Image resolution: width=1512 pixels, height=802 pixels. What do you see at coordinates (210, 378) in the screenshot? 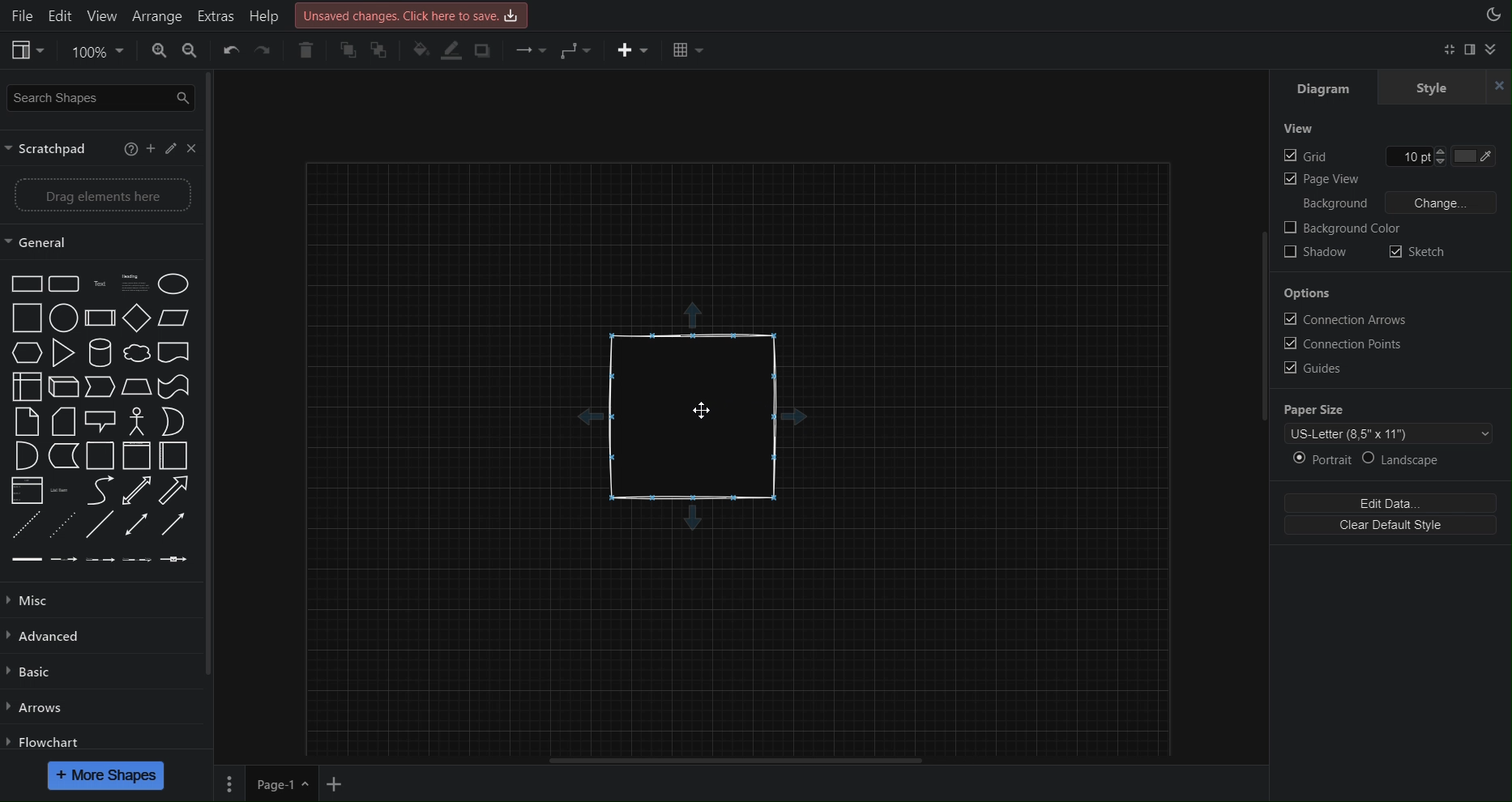
I see `Scrollbar` at bounding box center [210, 378].